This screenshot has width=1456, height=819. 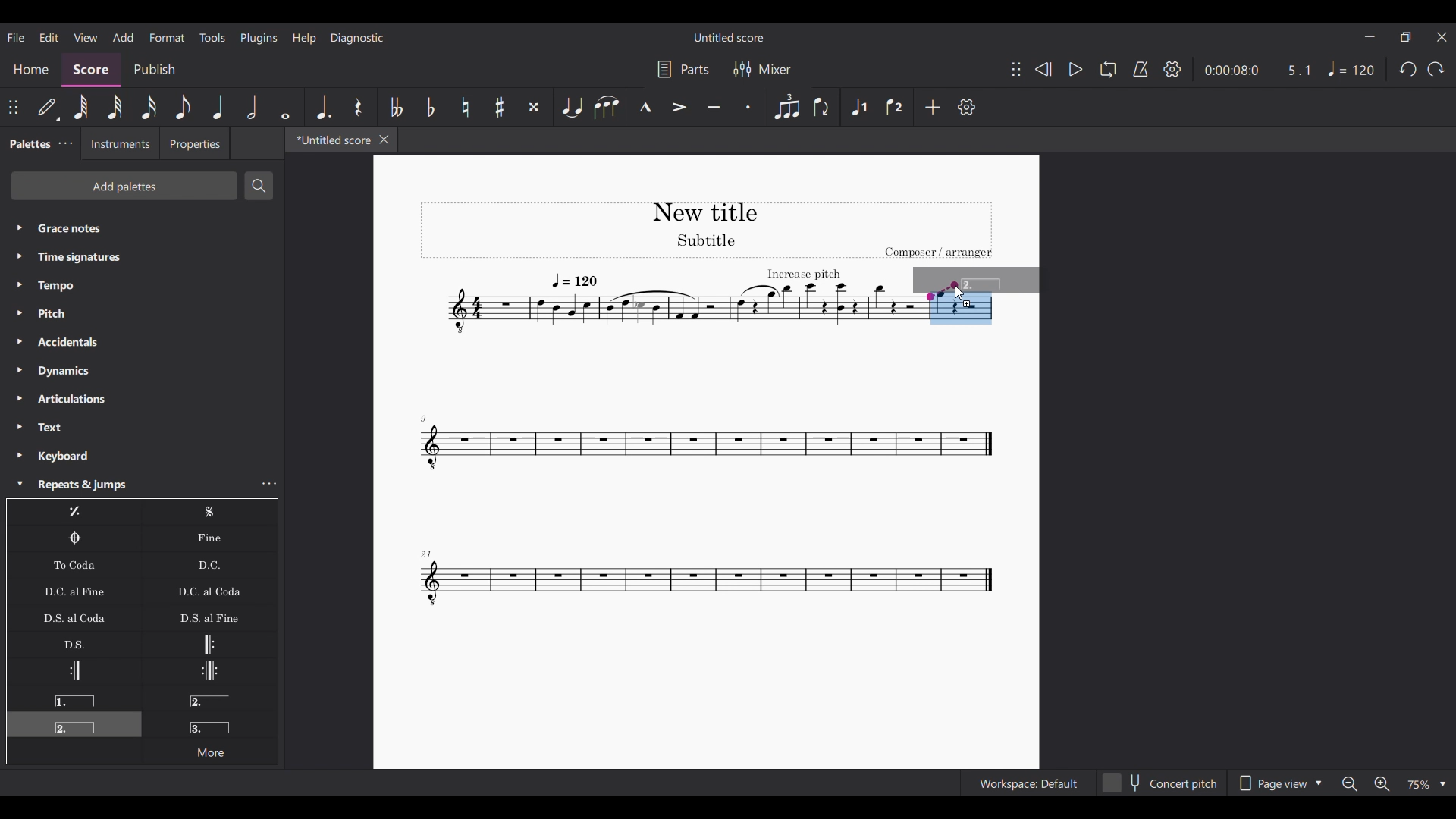 I want to click on Show in smaller tab, so click(x=1405, y=37).